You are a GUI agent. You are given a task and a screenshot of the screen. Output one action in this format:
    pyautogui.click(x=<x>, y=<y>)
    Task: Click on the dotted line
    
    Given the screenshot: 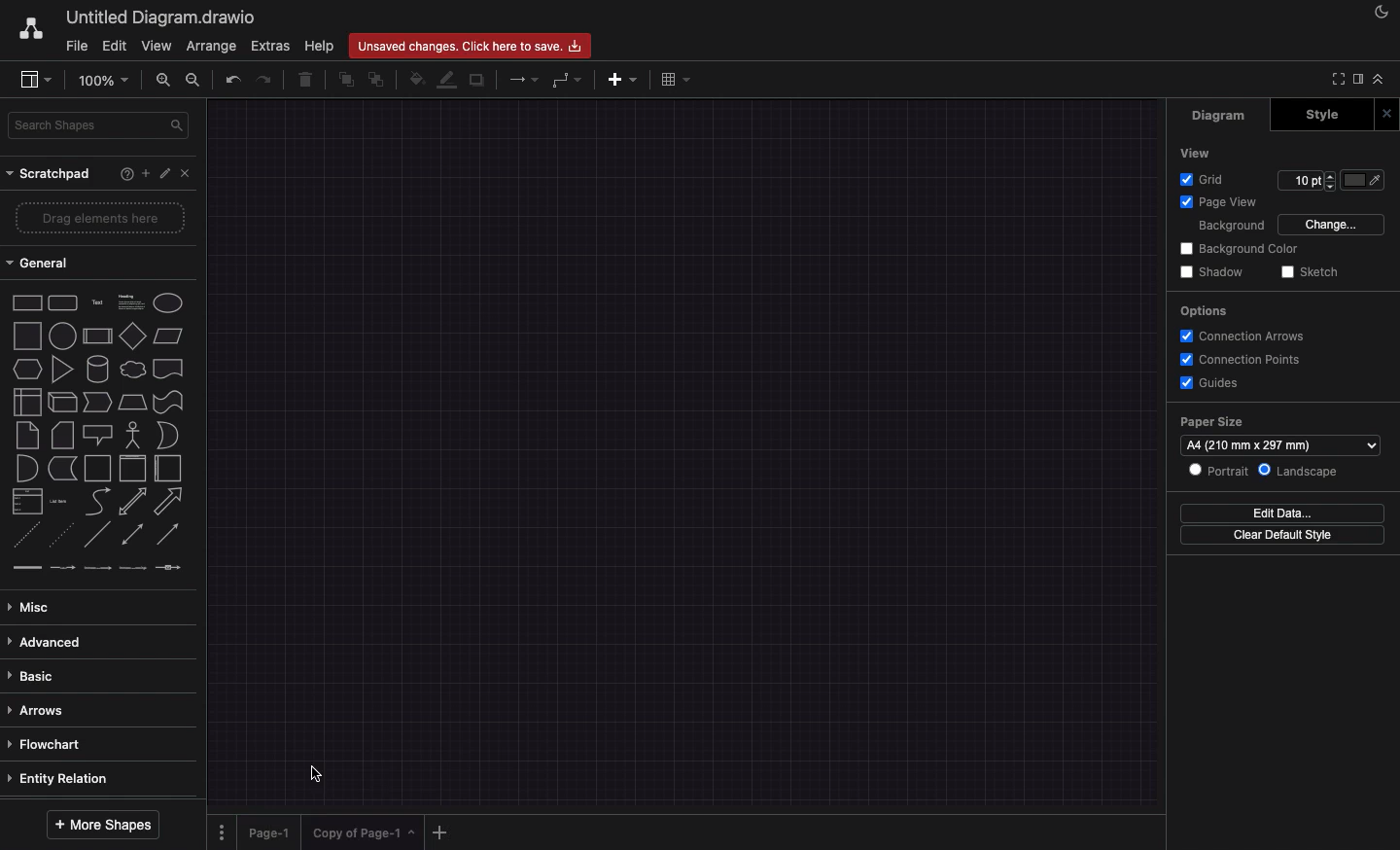 What is the action you would take?
    pyautogui.click(x=61, y=533)
    